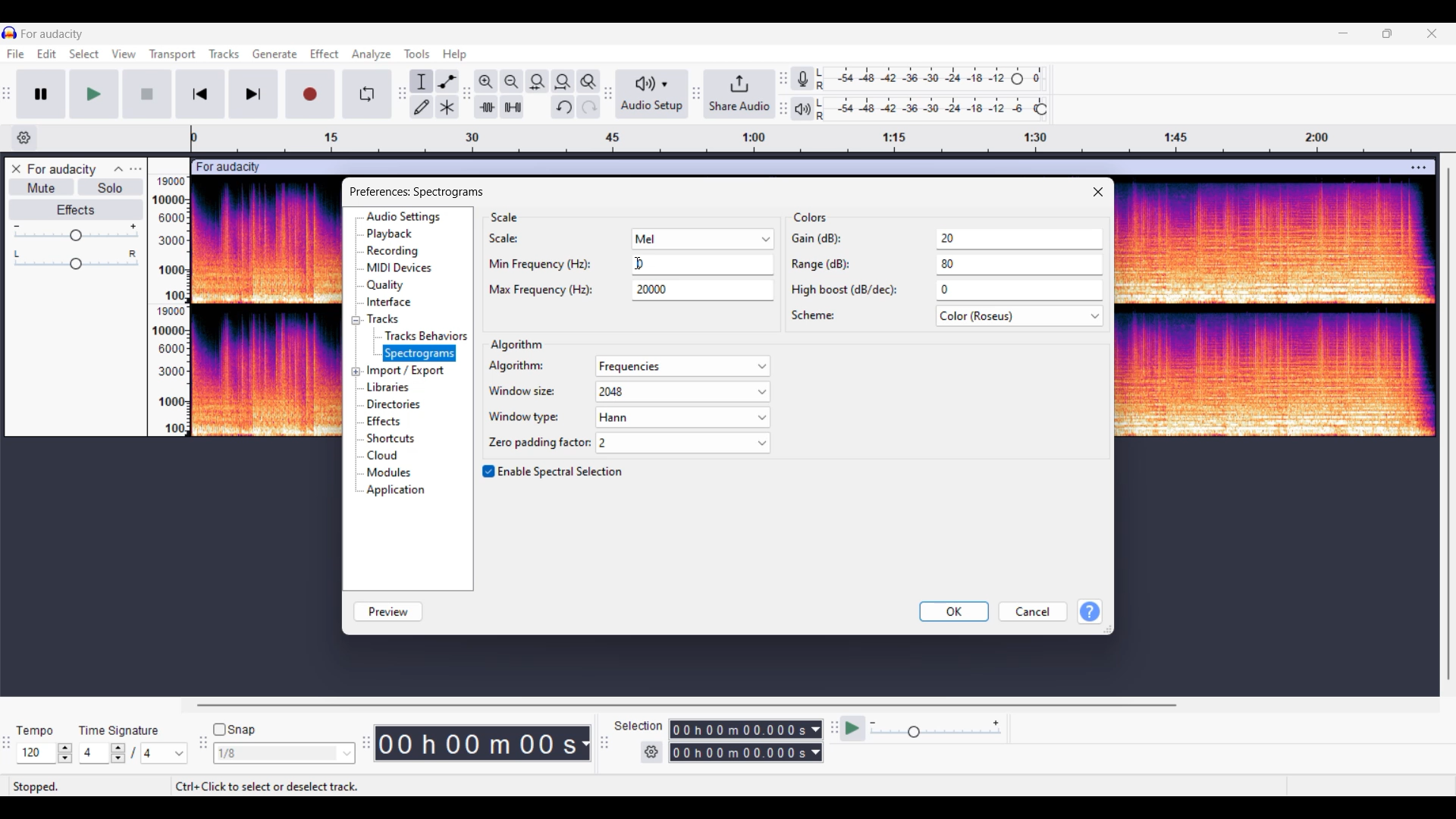 The height and width of the screenshot is (819, 1456). What do you see at coordinates (409, 369) in the screenshot?
I see `import/export` at bounding box center [409, 369].